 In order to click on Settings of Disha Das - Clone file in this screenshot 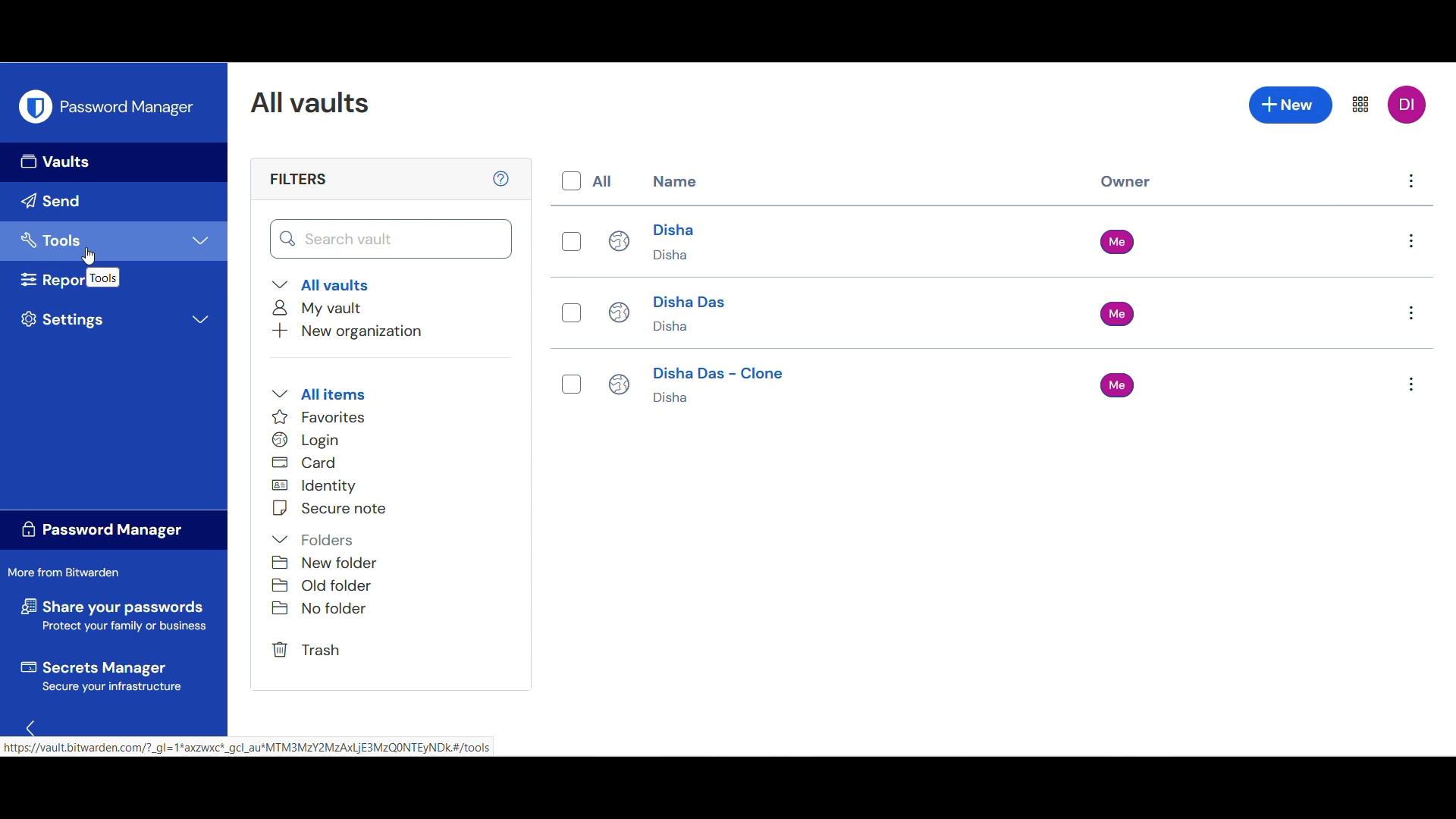, I will do `click(1411, 384)`.